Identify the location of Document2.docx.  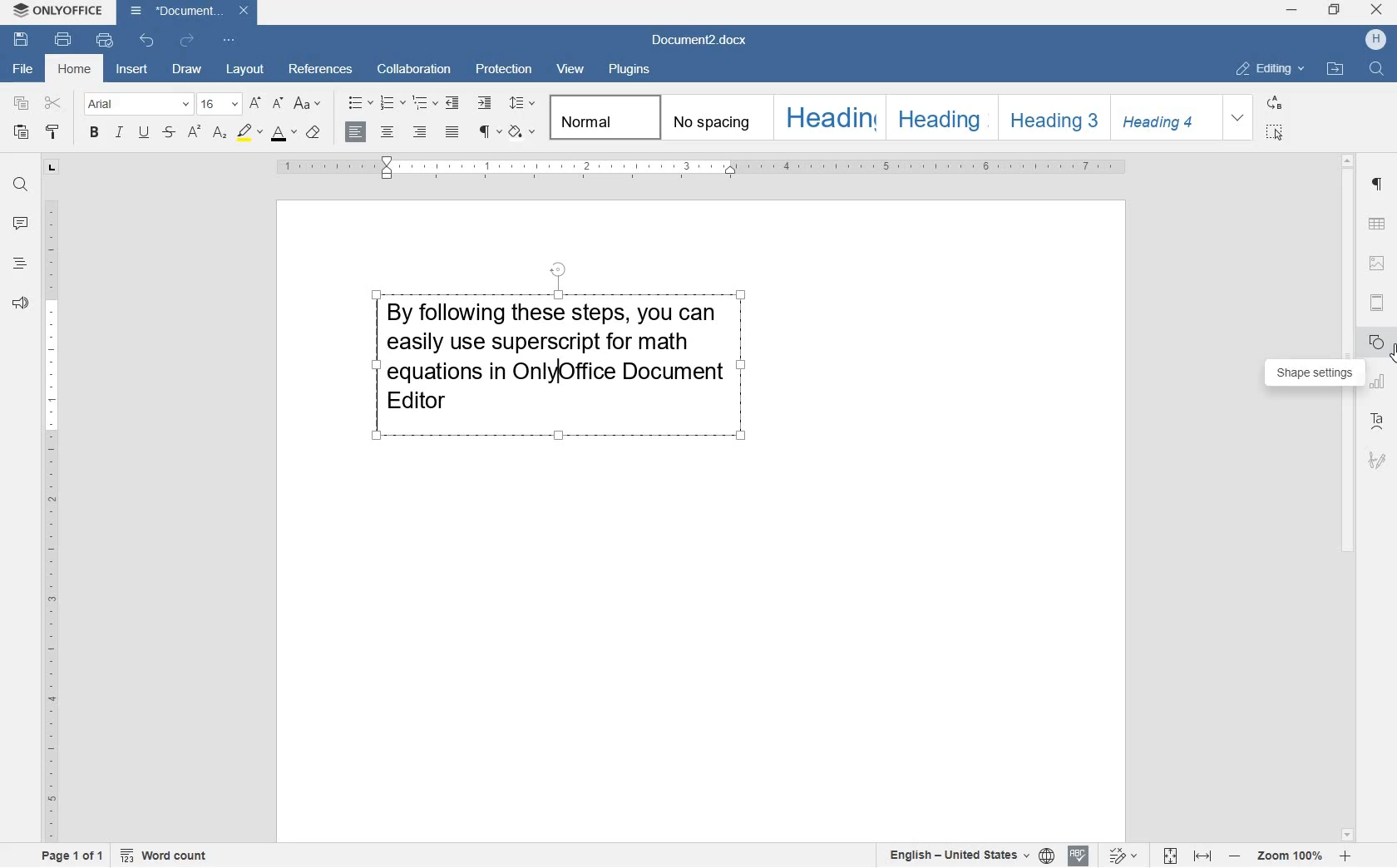
(701, 42).